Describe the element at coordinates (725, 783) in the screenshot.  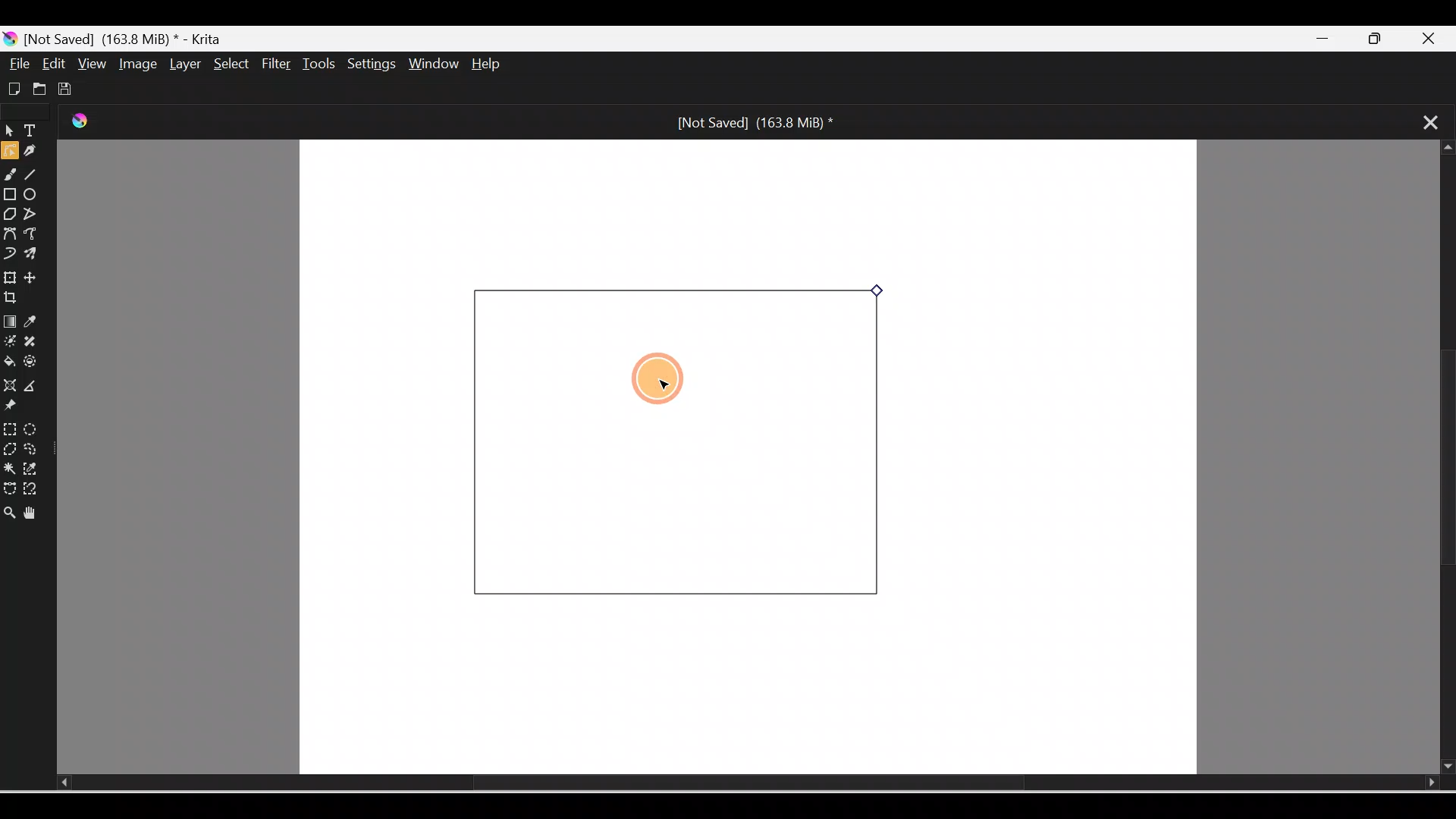
I see `Scroll bar` at that location.